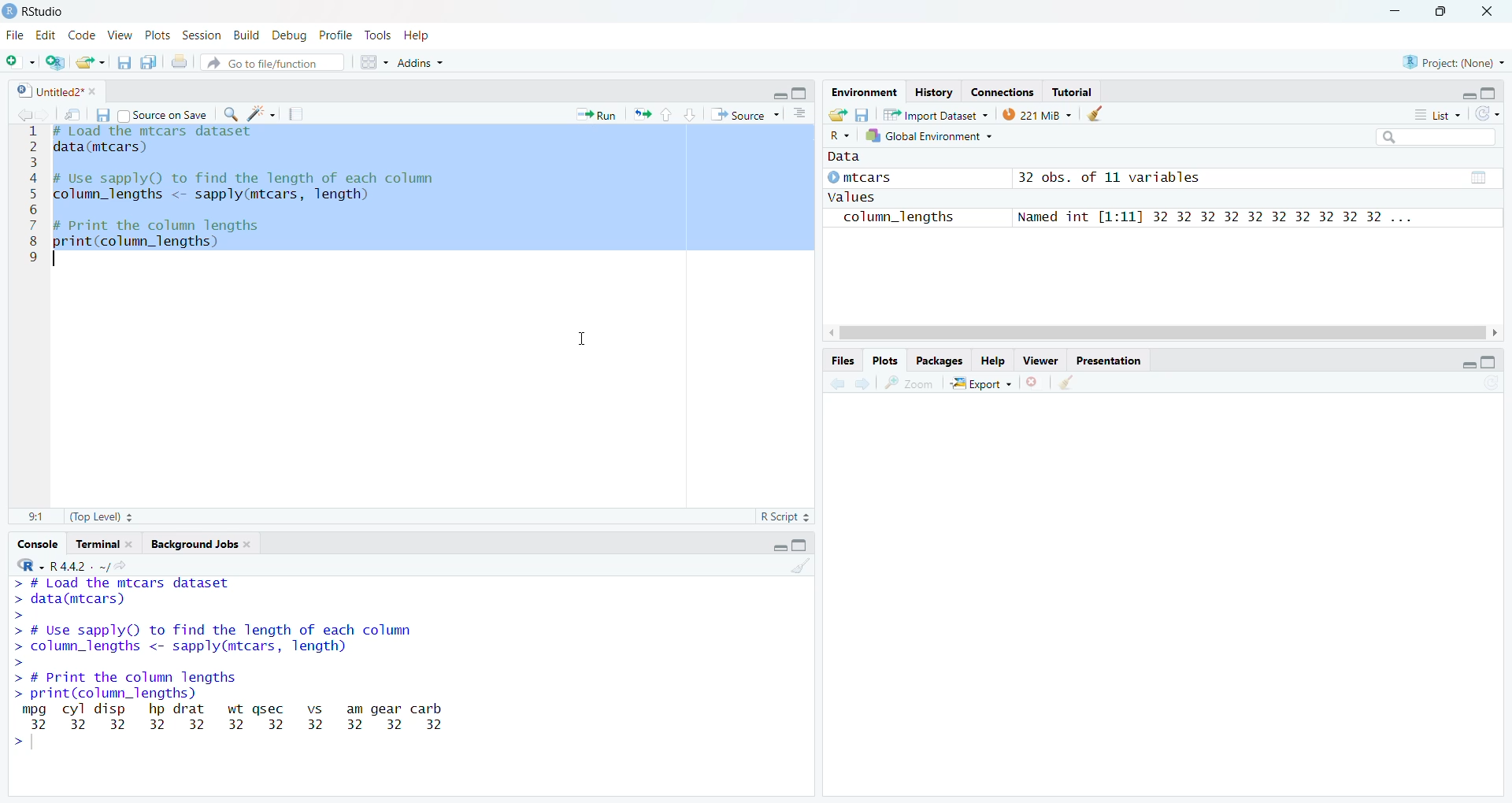  I want to click on Clear, so click(1065, 383).